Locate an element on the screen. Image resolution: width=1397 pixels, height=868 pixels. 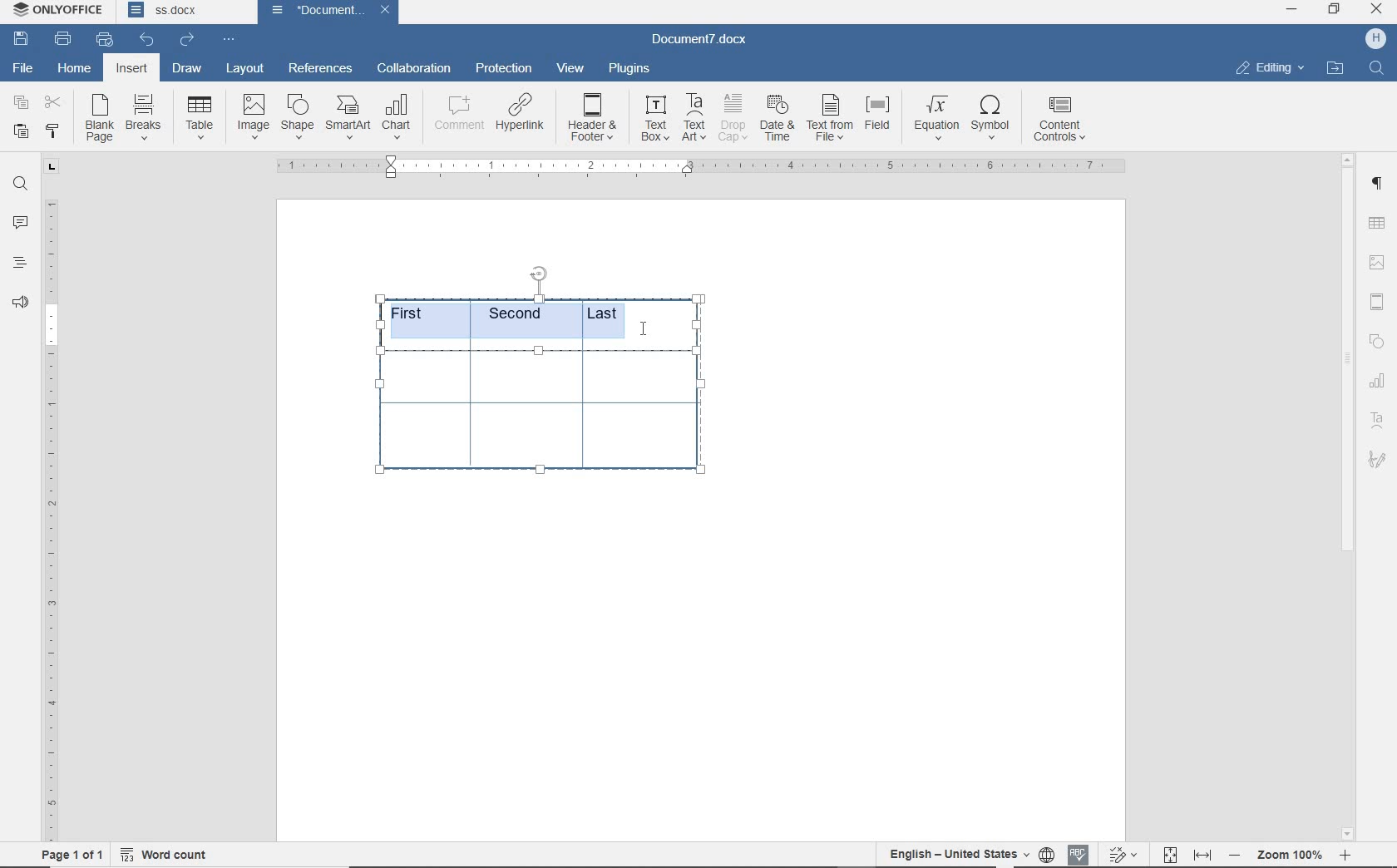
image is located at coordinates (254, 117).